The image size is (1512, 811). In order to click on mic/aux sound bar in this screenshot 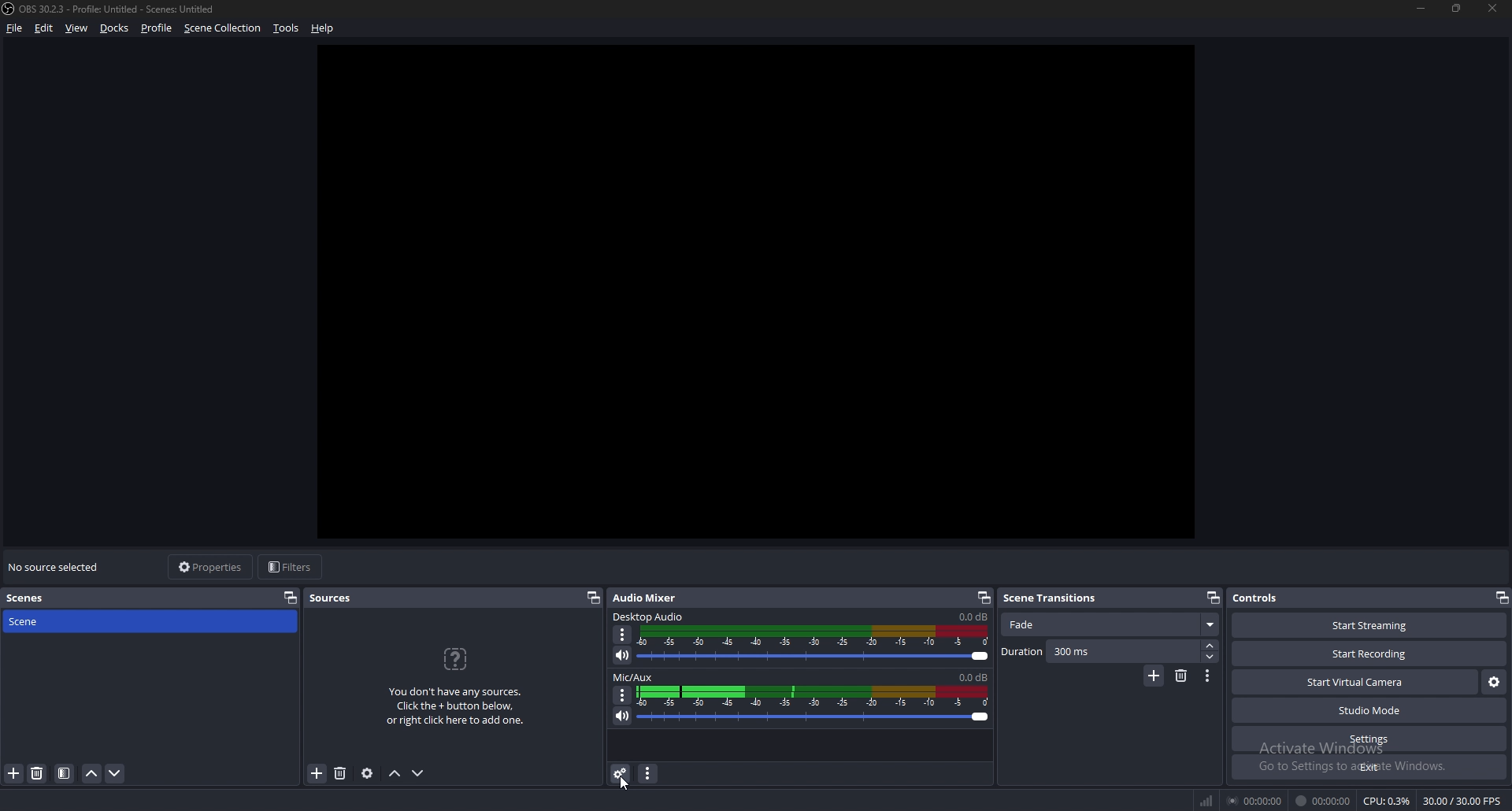, I will do `click(813, 703)`.